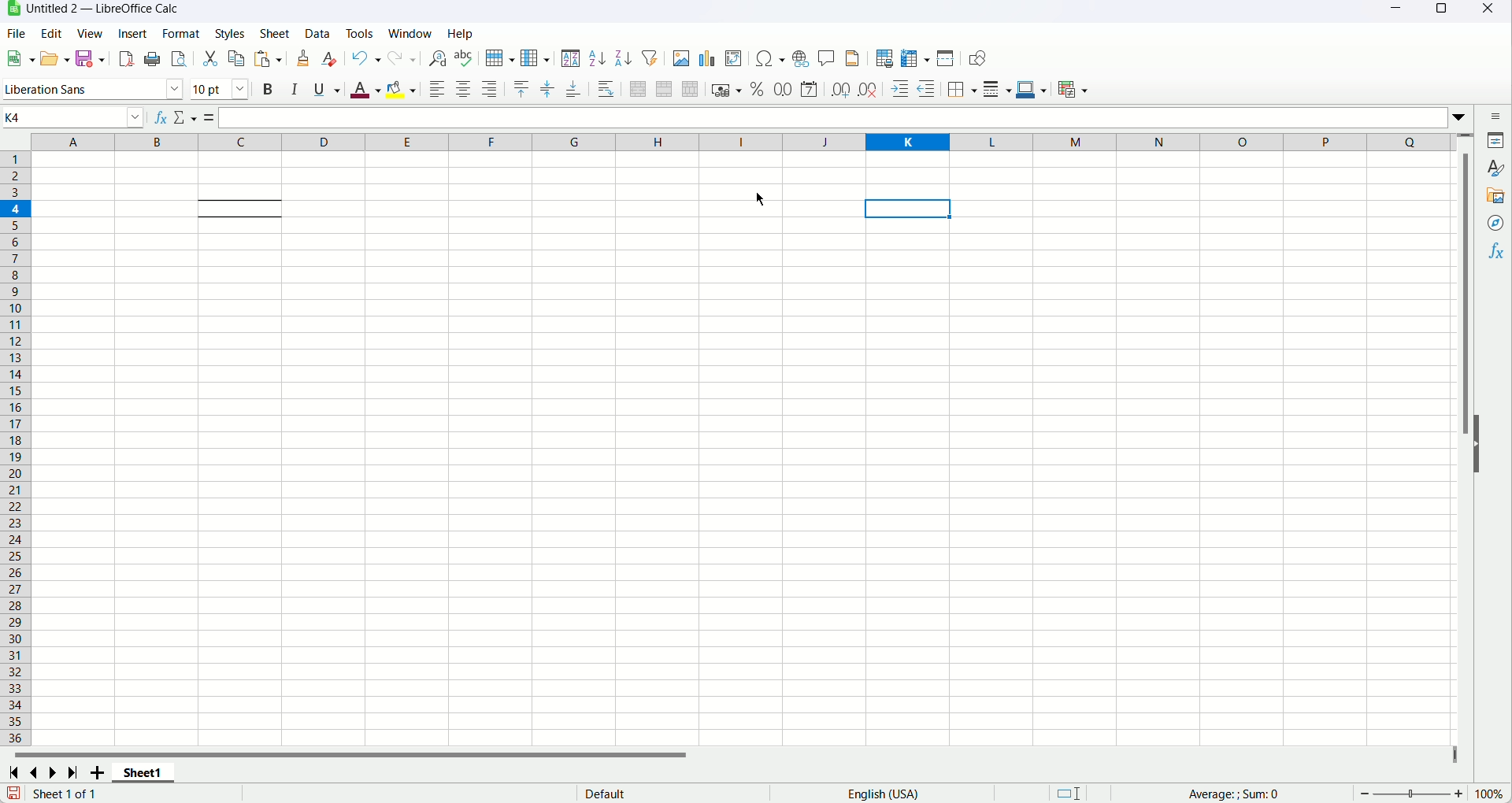  What do you see at coordinates (438, 59) in the screenshot?
I see `Find and replace` at bounding box center [438, 59].